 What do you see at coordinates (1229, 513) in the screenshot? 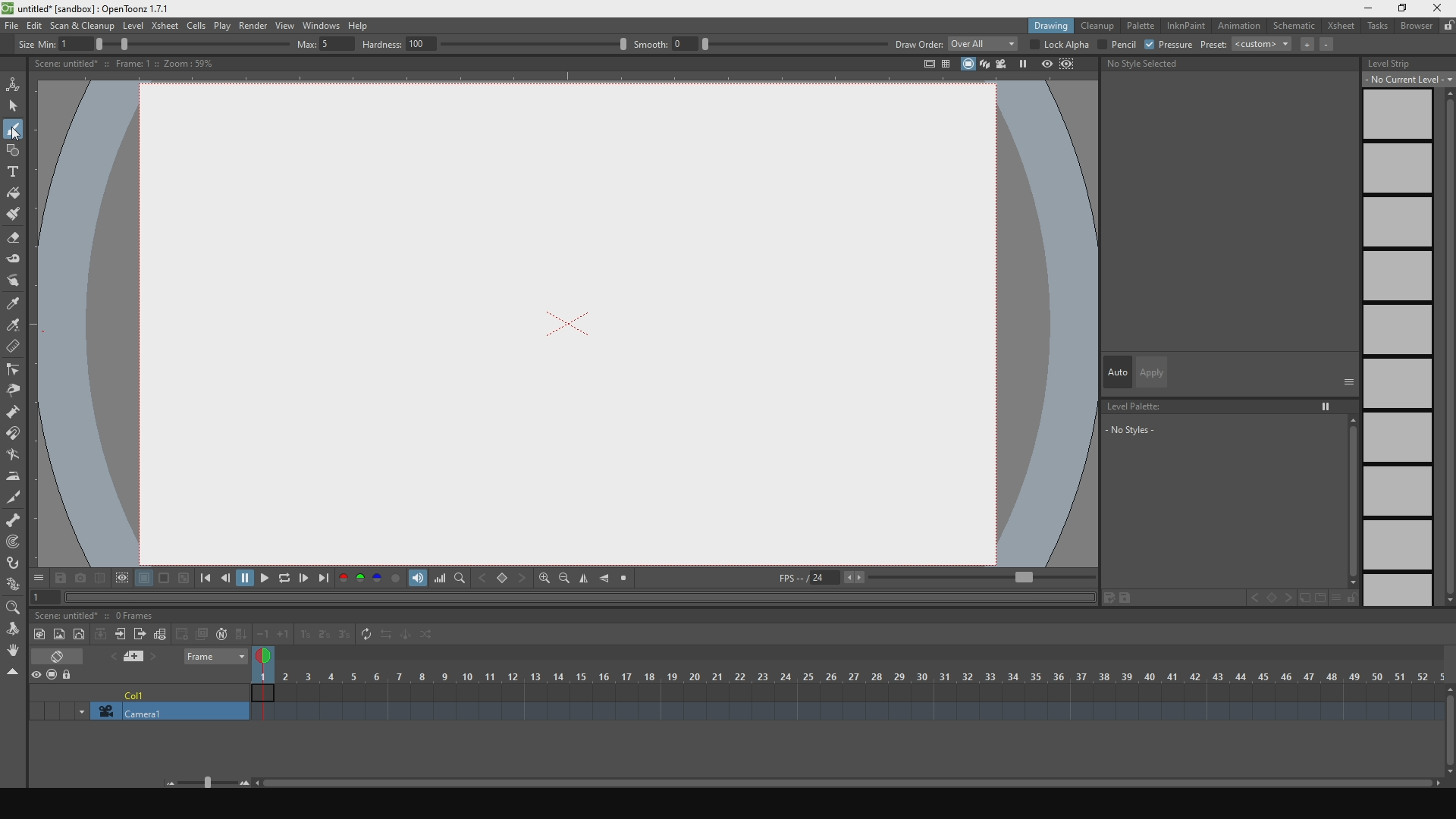
I see `no styles` at bounding box center [1229, 513].